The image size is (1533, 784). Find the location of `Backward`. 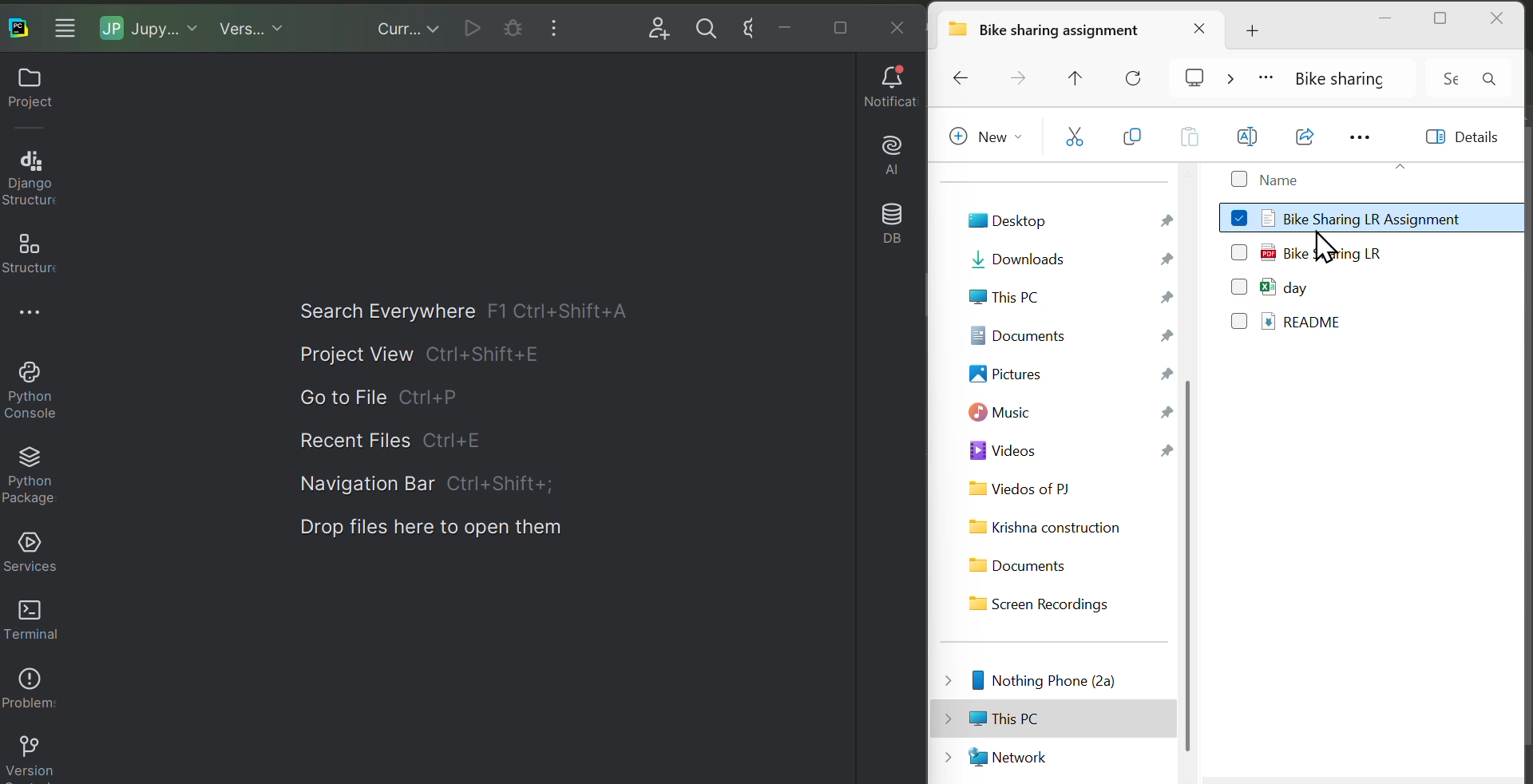

Backward is located at coordinates (961, 78).